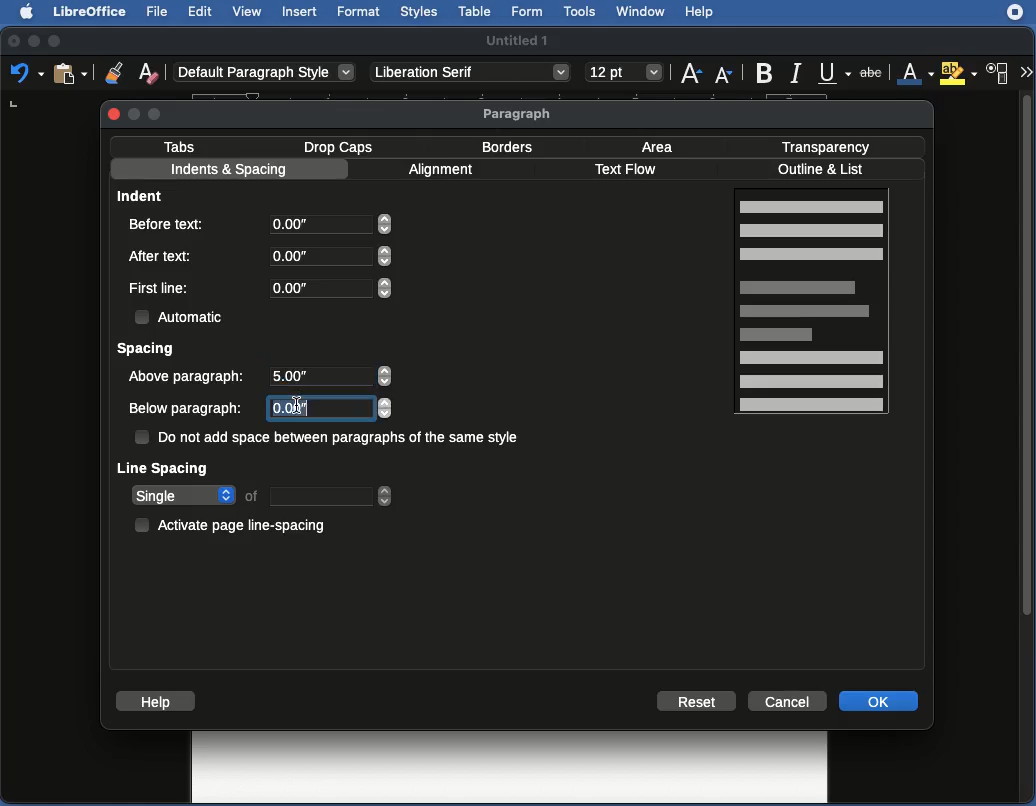 The width and height of the screenshot is (1036, 806). What do you see at coordinates (625, 171) in the screenshot?
I see `Text flow` at bounding box center [625, 171].